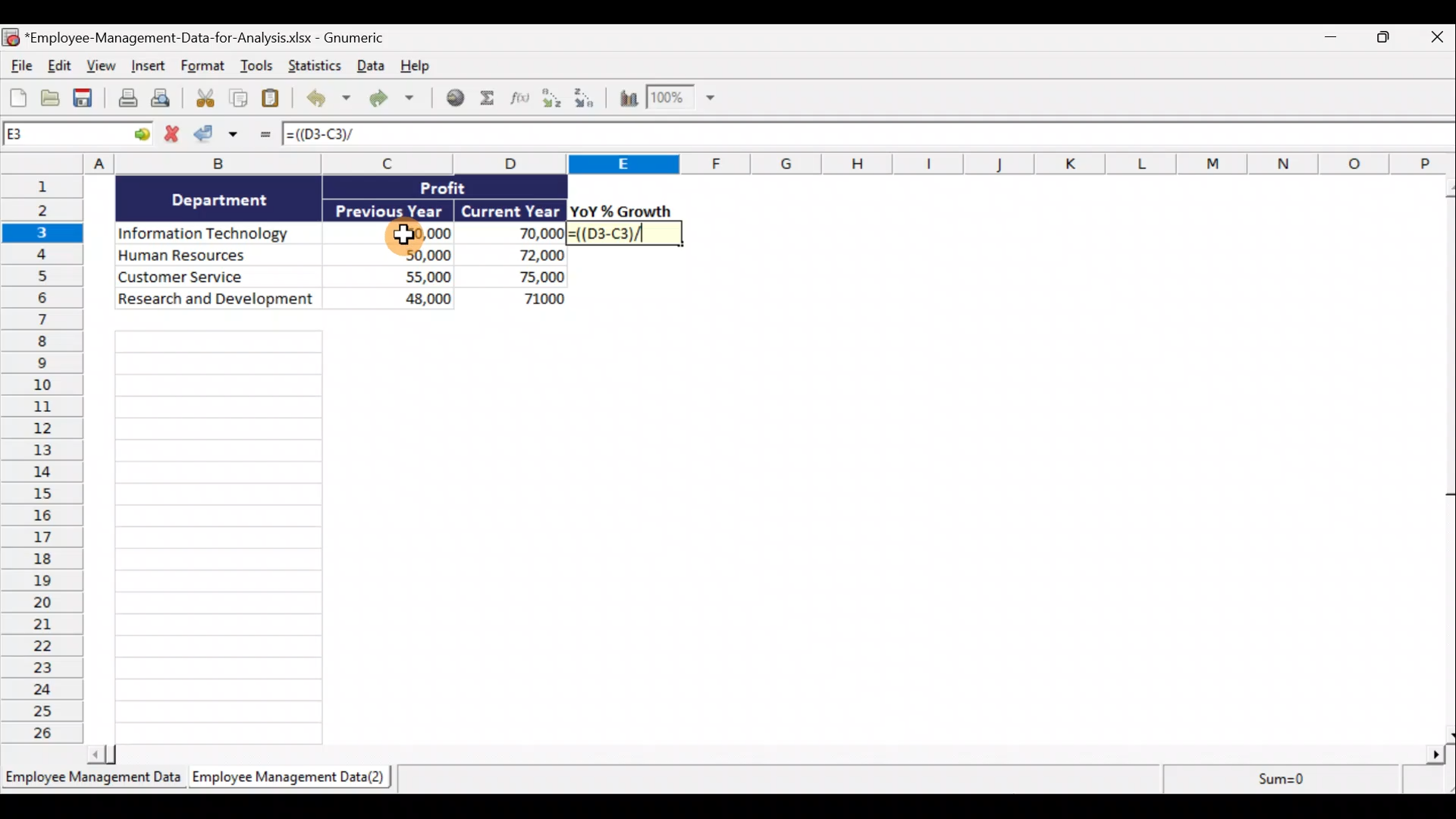 The image size is (1456, 819). I want to click on Columns, so click(728, 163).